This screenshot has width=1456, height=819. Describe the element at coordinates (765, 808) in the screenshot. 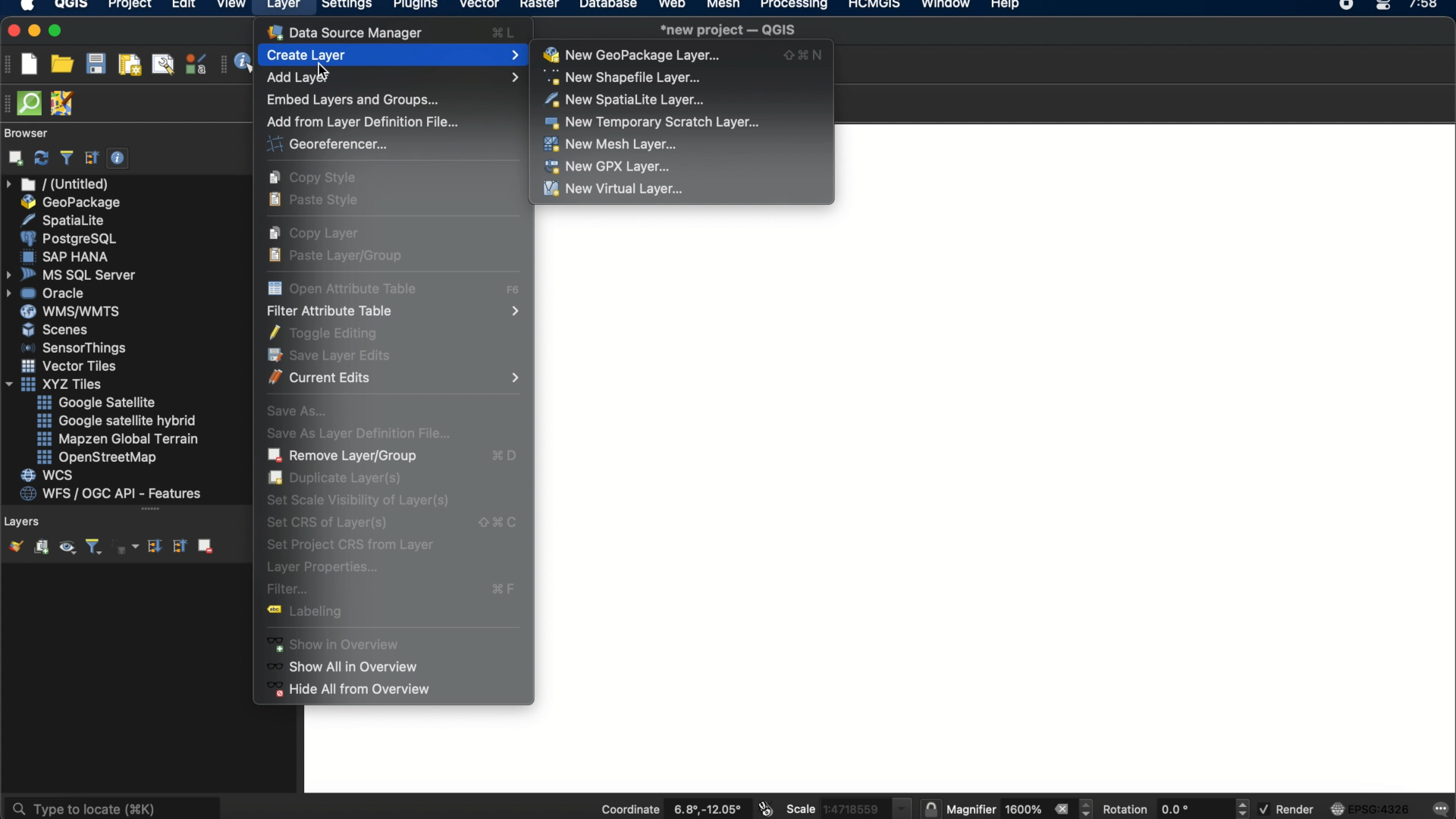

I see `toggle extents and mouse position display` at that location.